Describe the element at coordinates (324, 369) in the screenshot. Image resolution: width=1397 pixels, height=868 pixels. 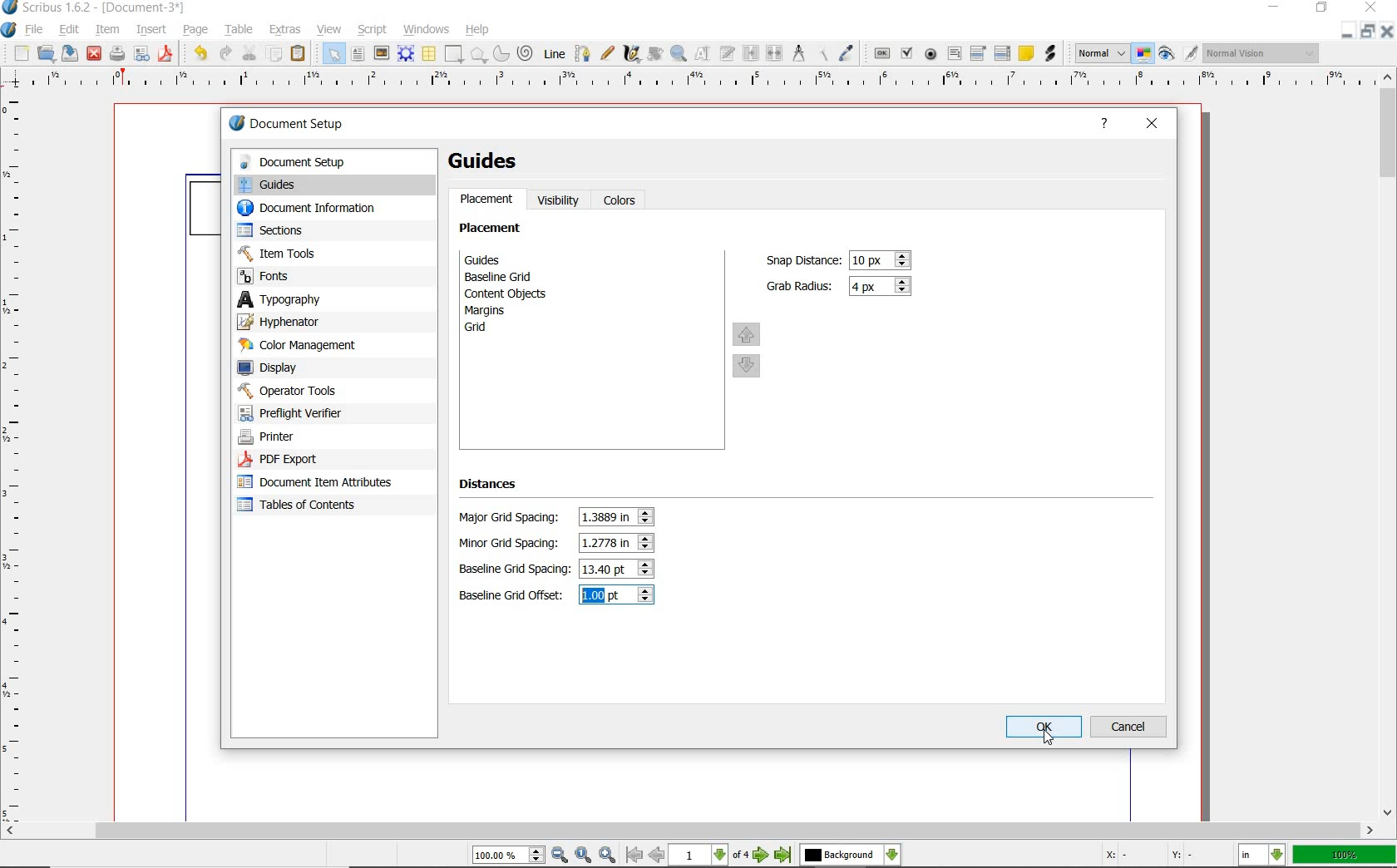
I see `display` at that location.